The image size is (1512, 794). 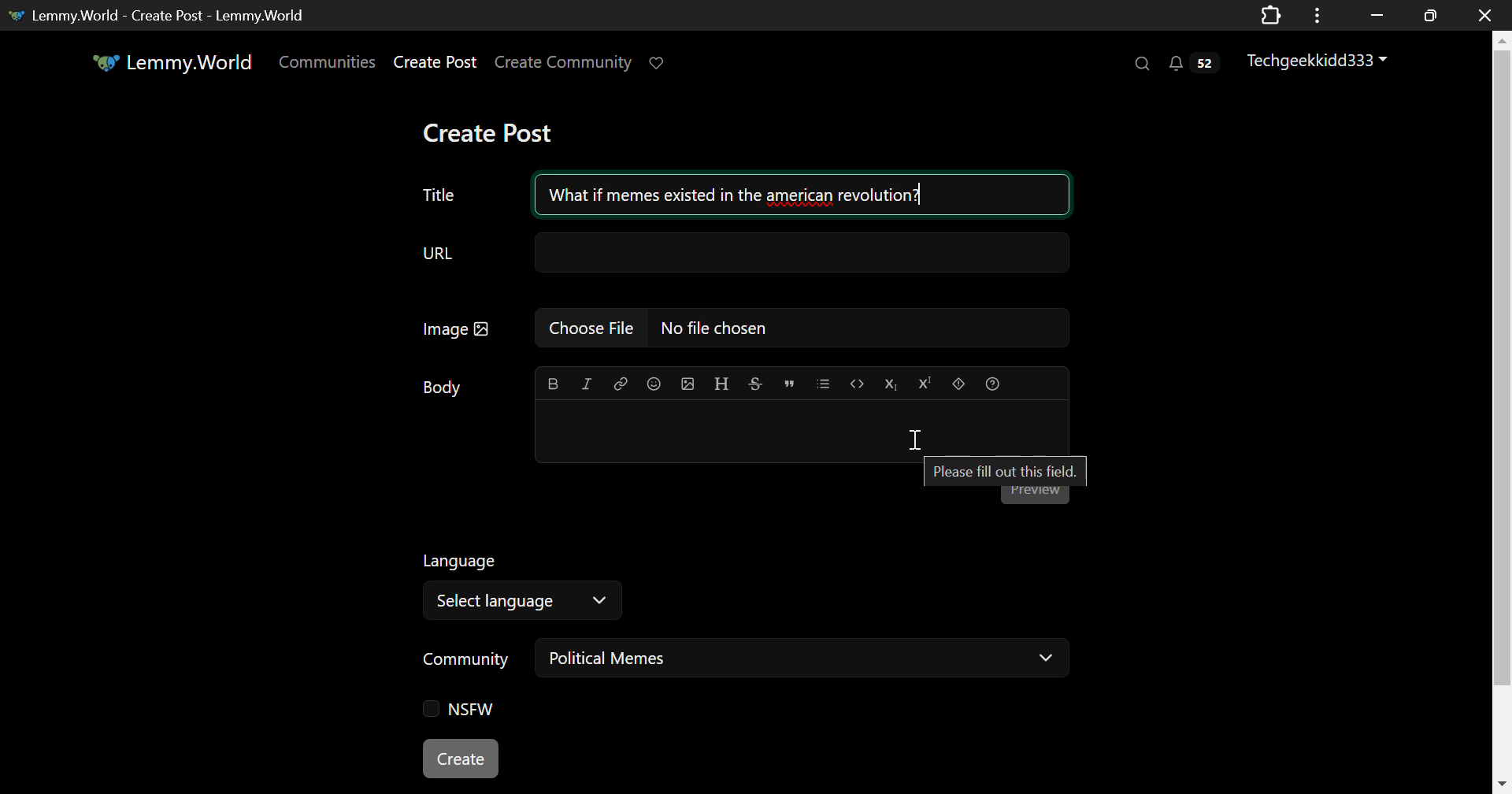 I want to click on Notifications, so click(x=1197, y=65).